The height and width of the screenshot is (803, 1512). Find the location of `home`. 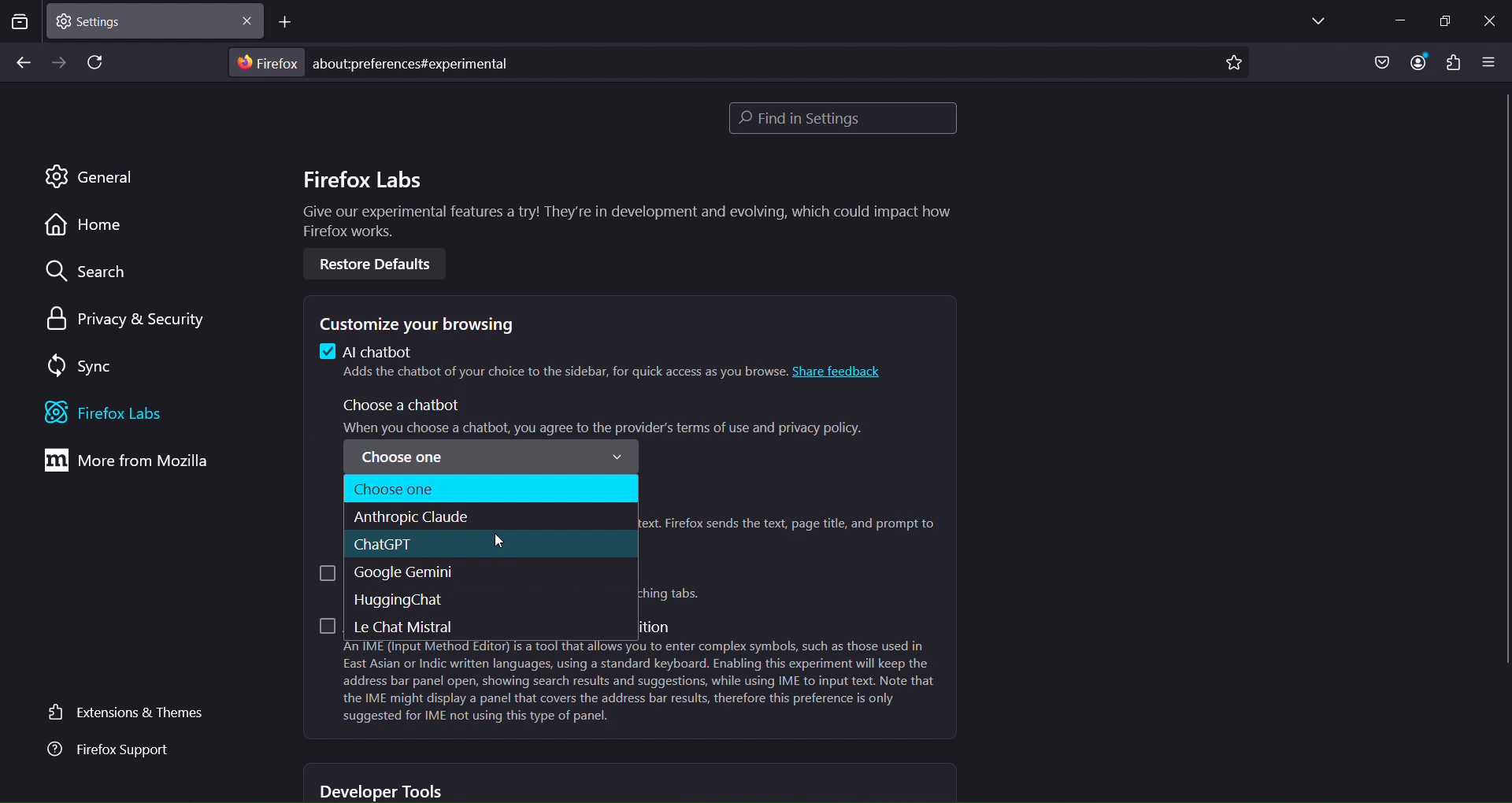

home is located at coordinates (86, 227).